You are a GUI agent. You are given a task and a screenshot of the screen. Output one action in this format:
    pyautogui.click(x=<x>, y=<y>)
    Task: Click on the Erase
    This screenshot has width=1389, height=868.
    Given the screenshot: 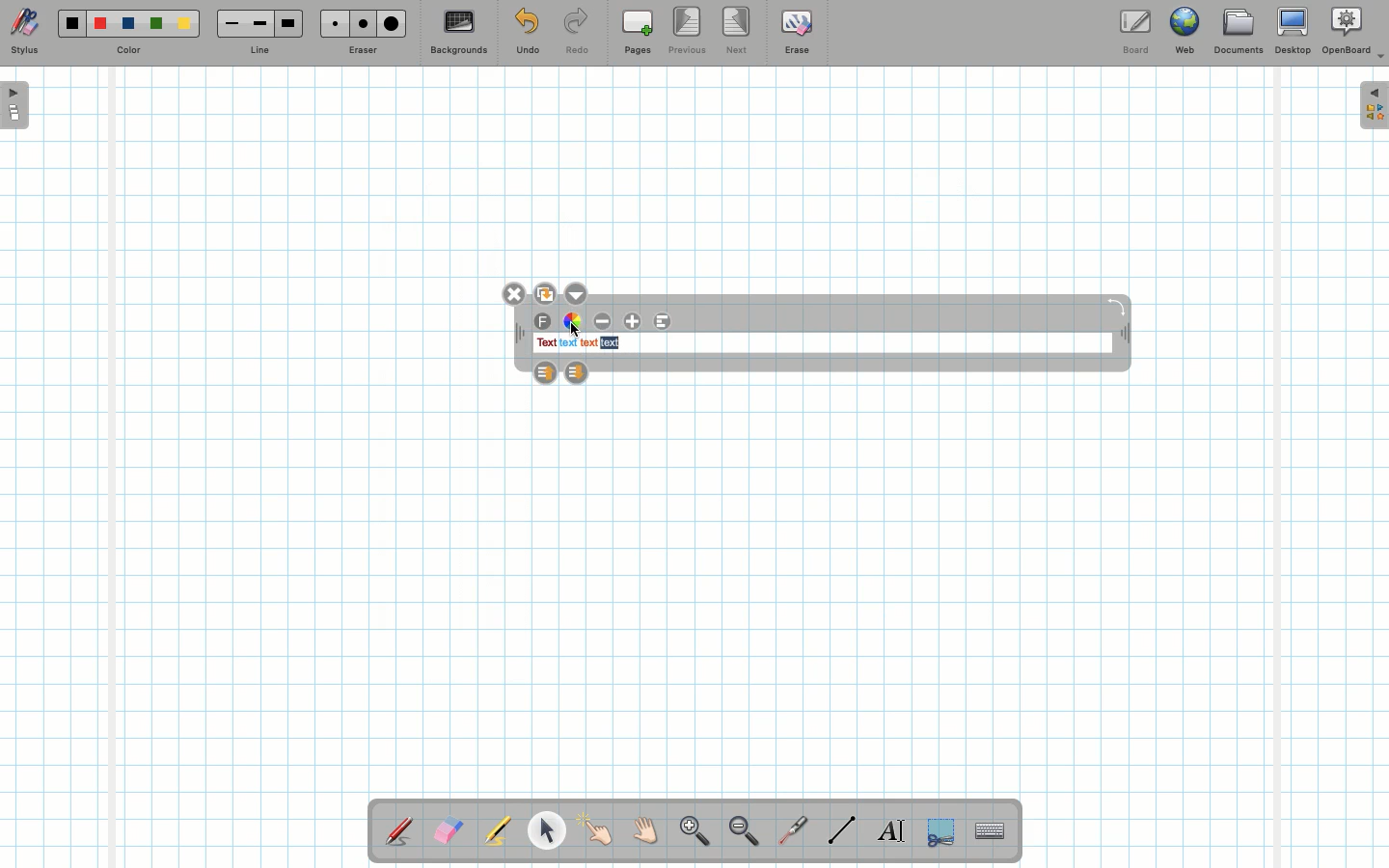 What is the action you would take?
    pyautogui.click(x=796, y=31)
    